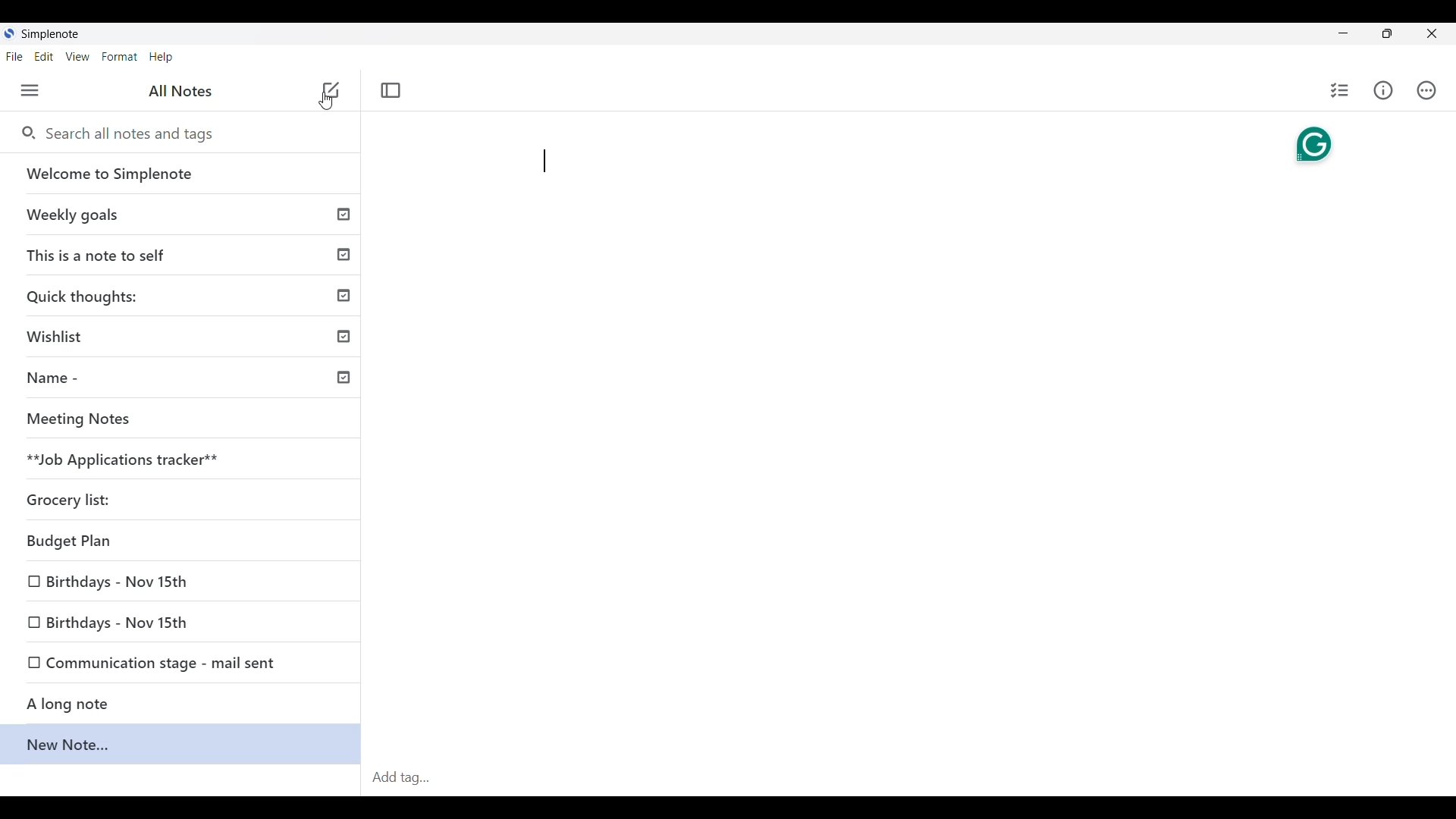  I want to click on View, so click(78, 57).